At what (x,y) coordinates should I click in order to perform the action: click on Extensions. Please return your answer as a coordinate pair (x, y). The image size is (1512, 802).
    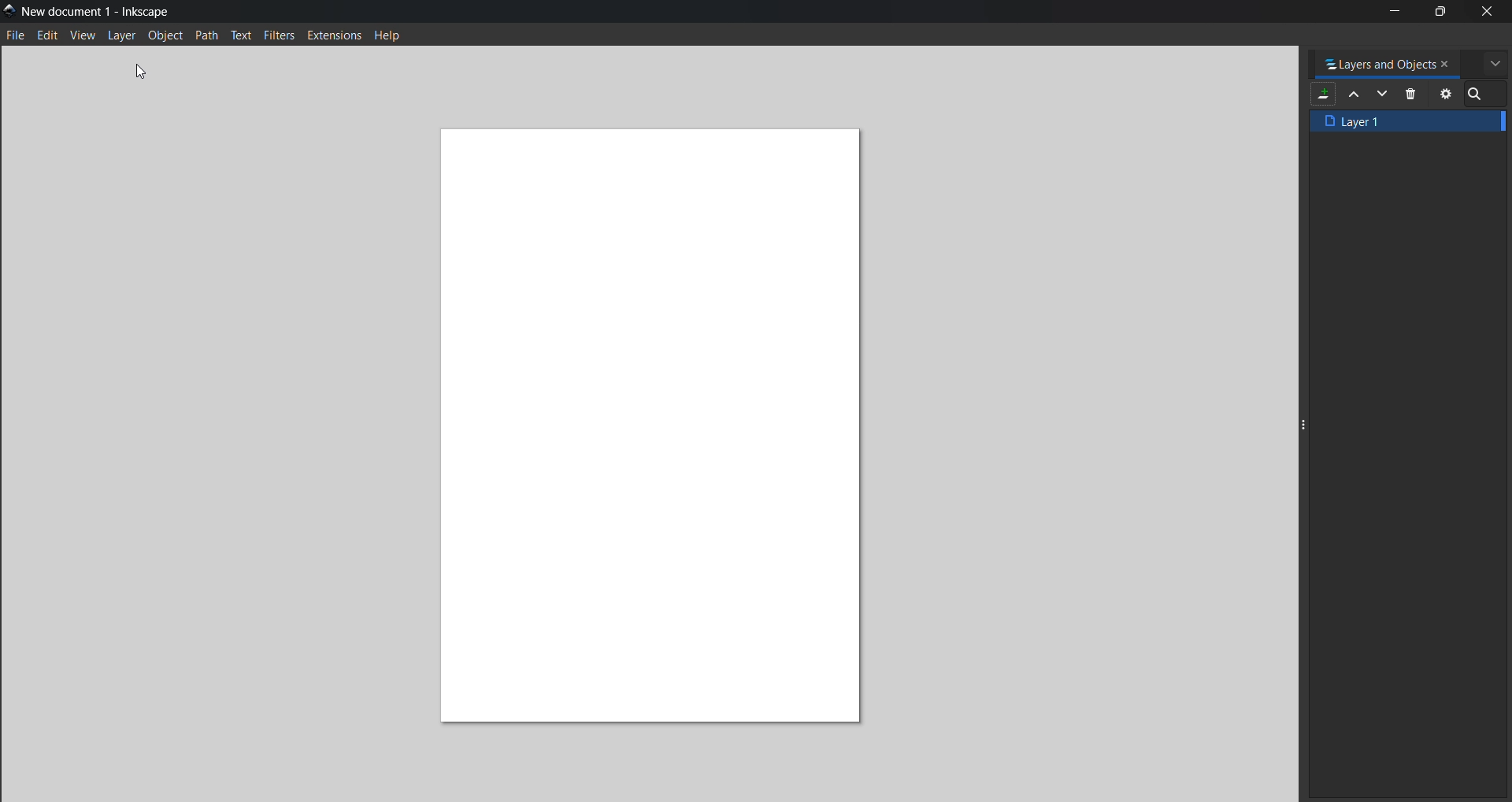
    Looking at the image, I should click on (336, 37).